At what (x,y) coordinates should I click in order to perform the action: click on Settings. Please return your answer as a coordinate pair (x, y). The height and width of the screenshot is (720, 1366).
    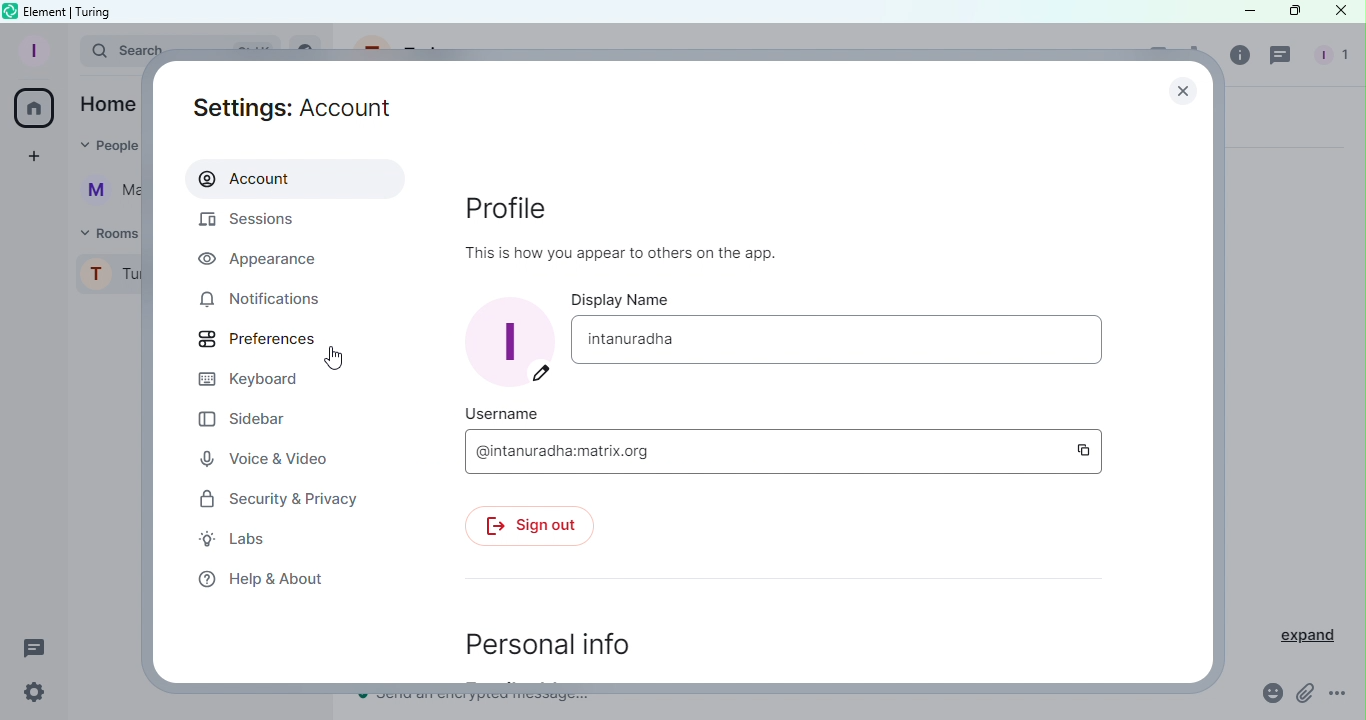
    Looking at the image, I should click on (296, 108).